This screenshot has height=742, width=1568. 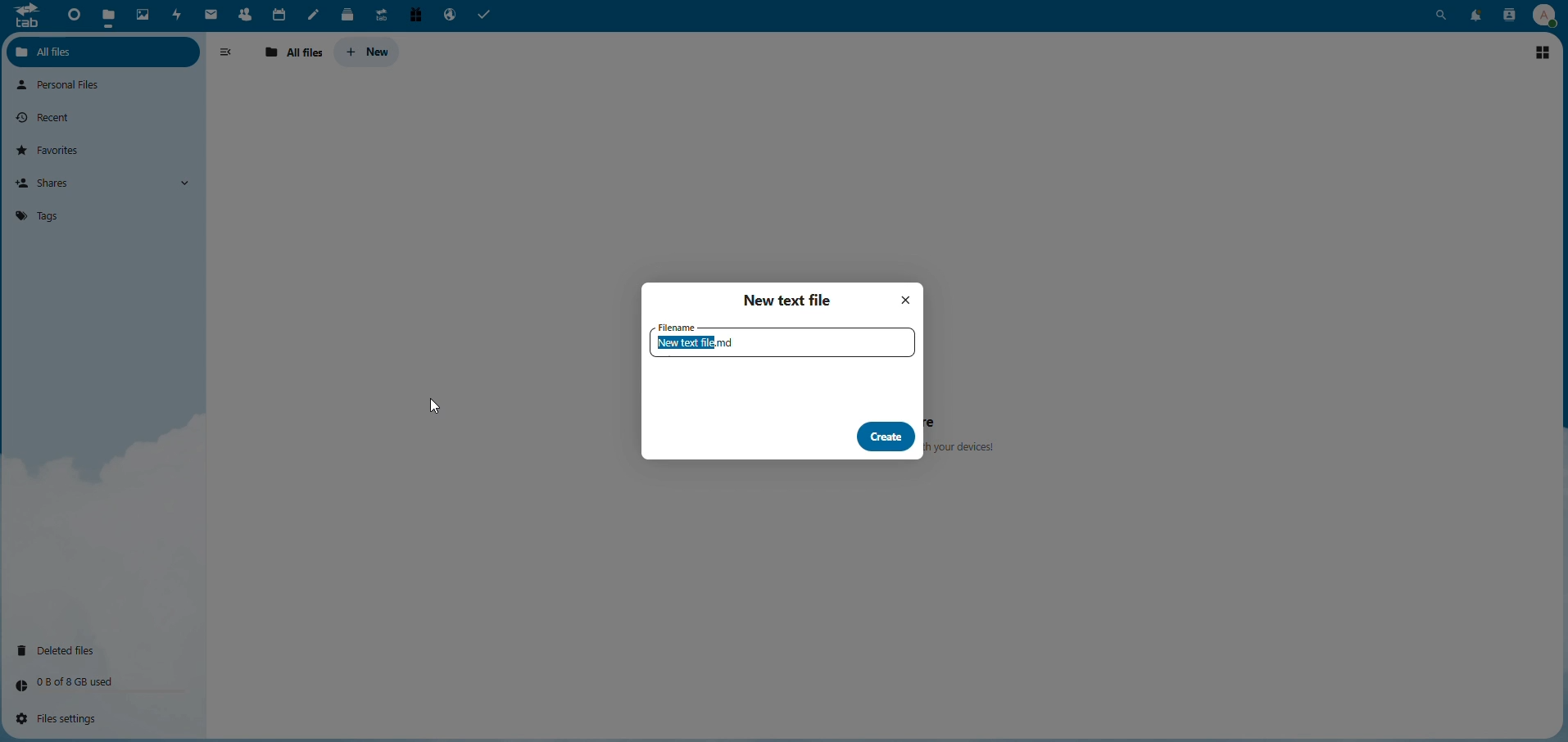 What do you see at coordinates (278, 13) in the screenshot?
I see `Calendar` at bounding box center [278, 13].